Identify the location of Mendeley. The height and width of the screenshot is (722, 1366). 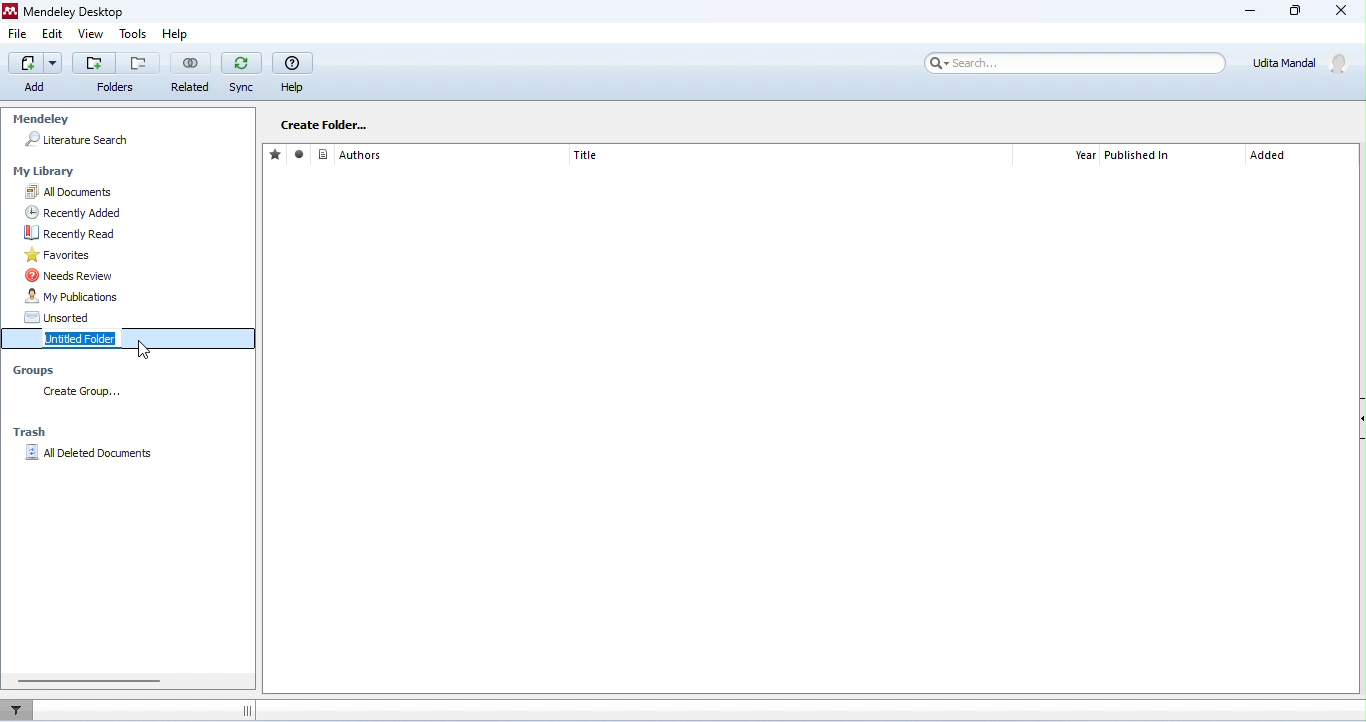
(40, 120).